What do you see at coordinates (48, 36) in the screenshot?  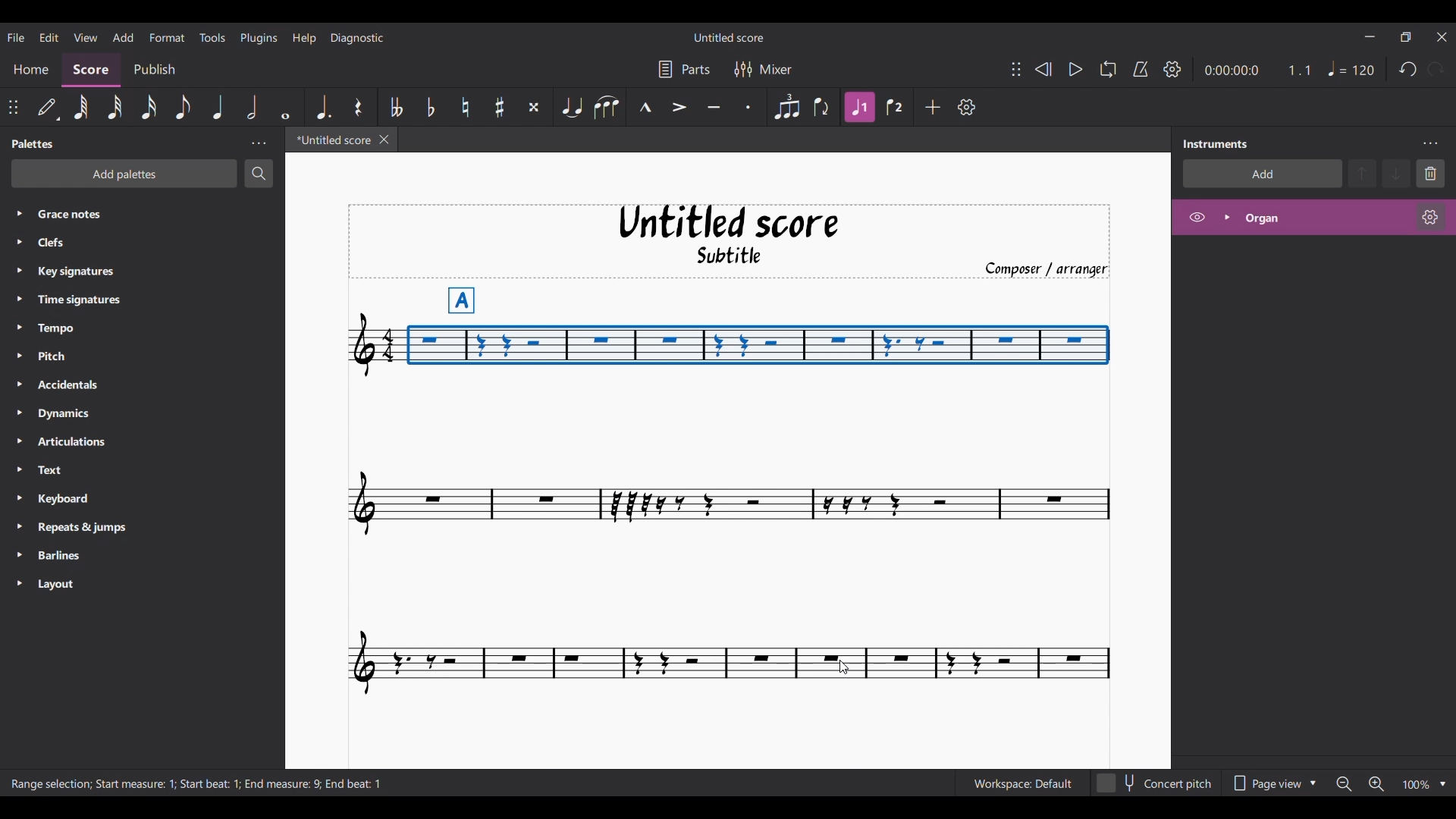 I see `Edit menu` at bounding box center [48, 36].